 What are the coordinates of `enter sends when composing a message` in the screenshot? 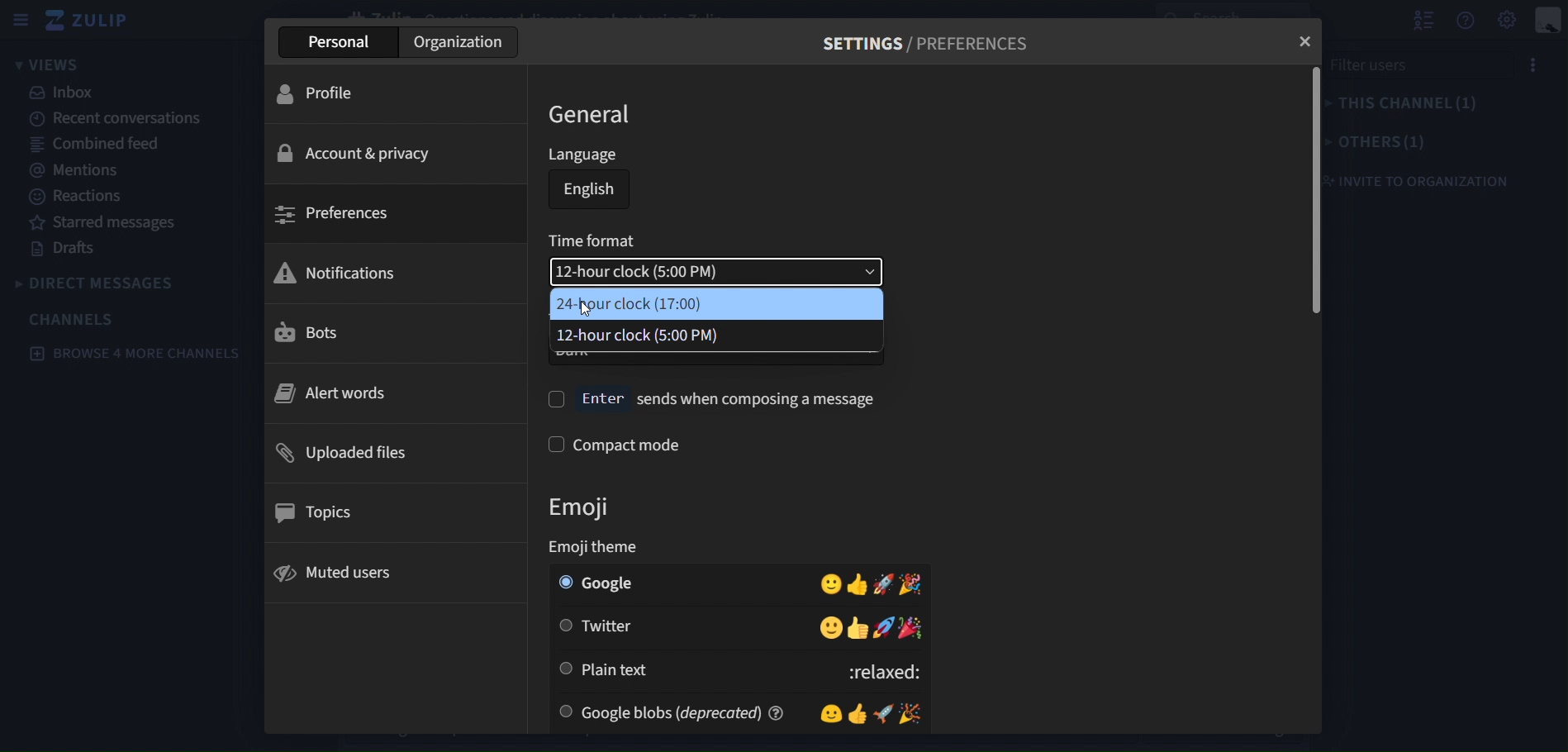 It's located at (732, 397).